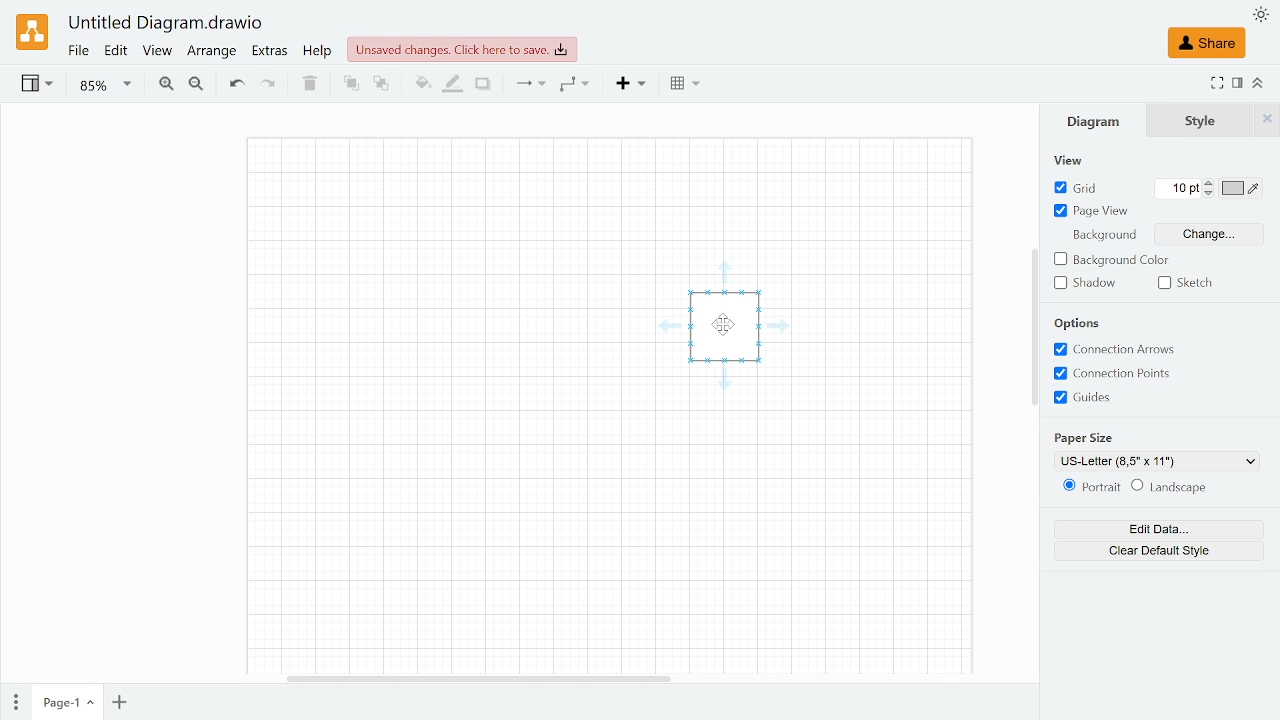 The image size is (1280, 720). What do you see at coordinates (1269, 122) in the screenshot?
I see `Close` at bounding box center [1269, 122].